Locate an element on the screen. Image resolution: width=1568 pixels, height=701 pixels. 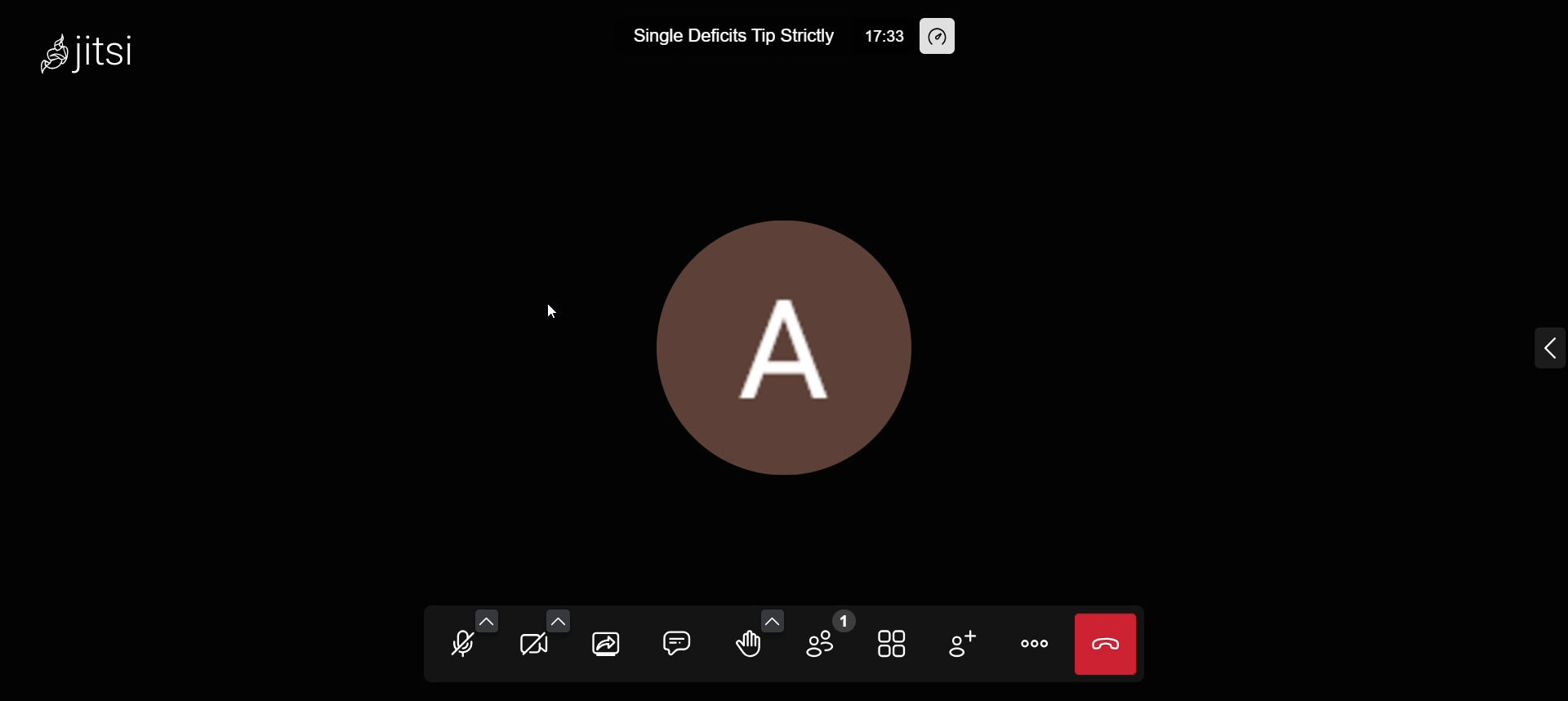
jitsi logo is located at coordinates (45, 52).